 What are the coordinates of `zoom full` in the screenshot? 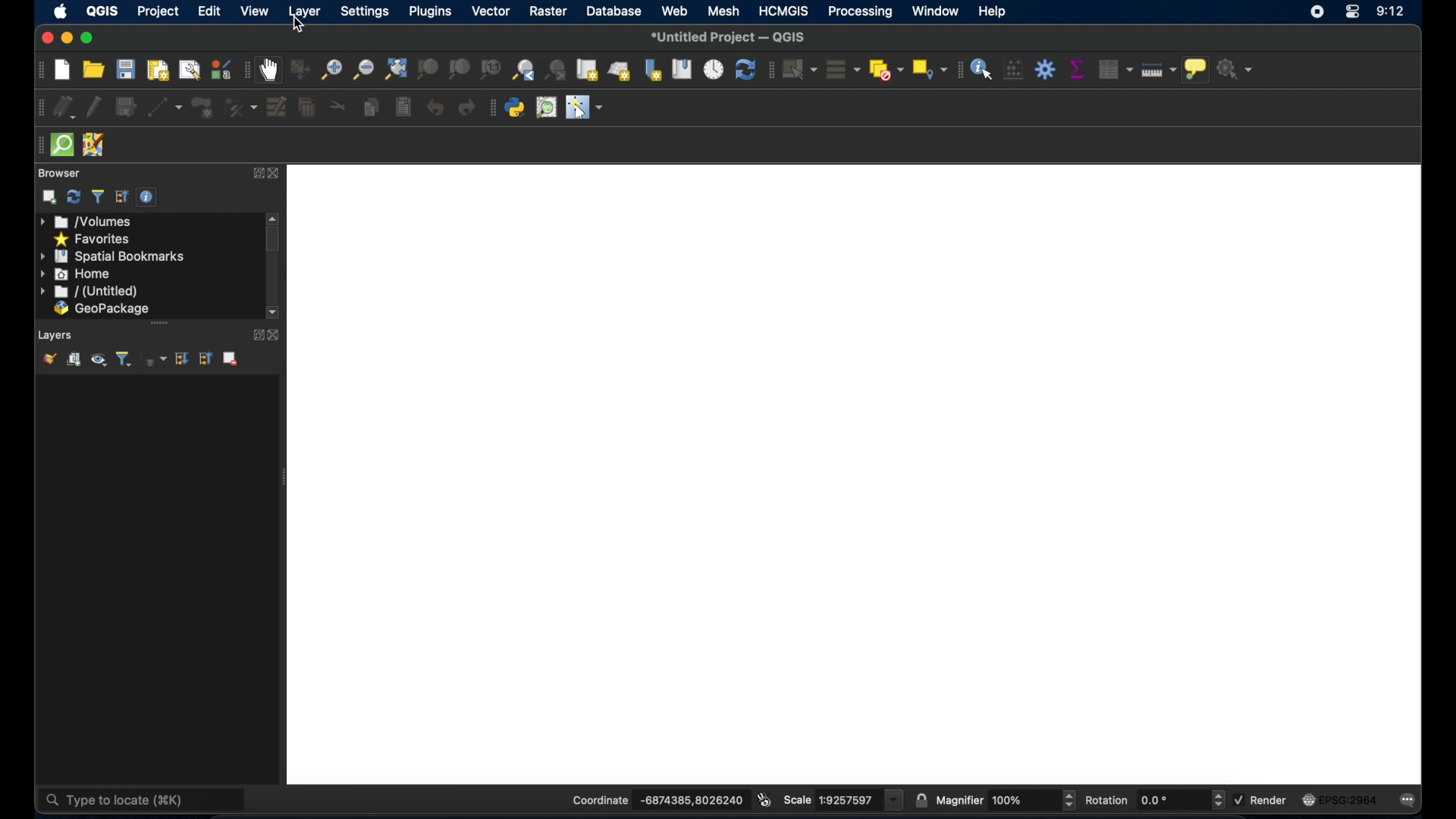 It's located at (394, 70).